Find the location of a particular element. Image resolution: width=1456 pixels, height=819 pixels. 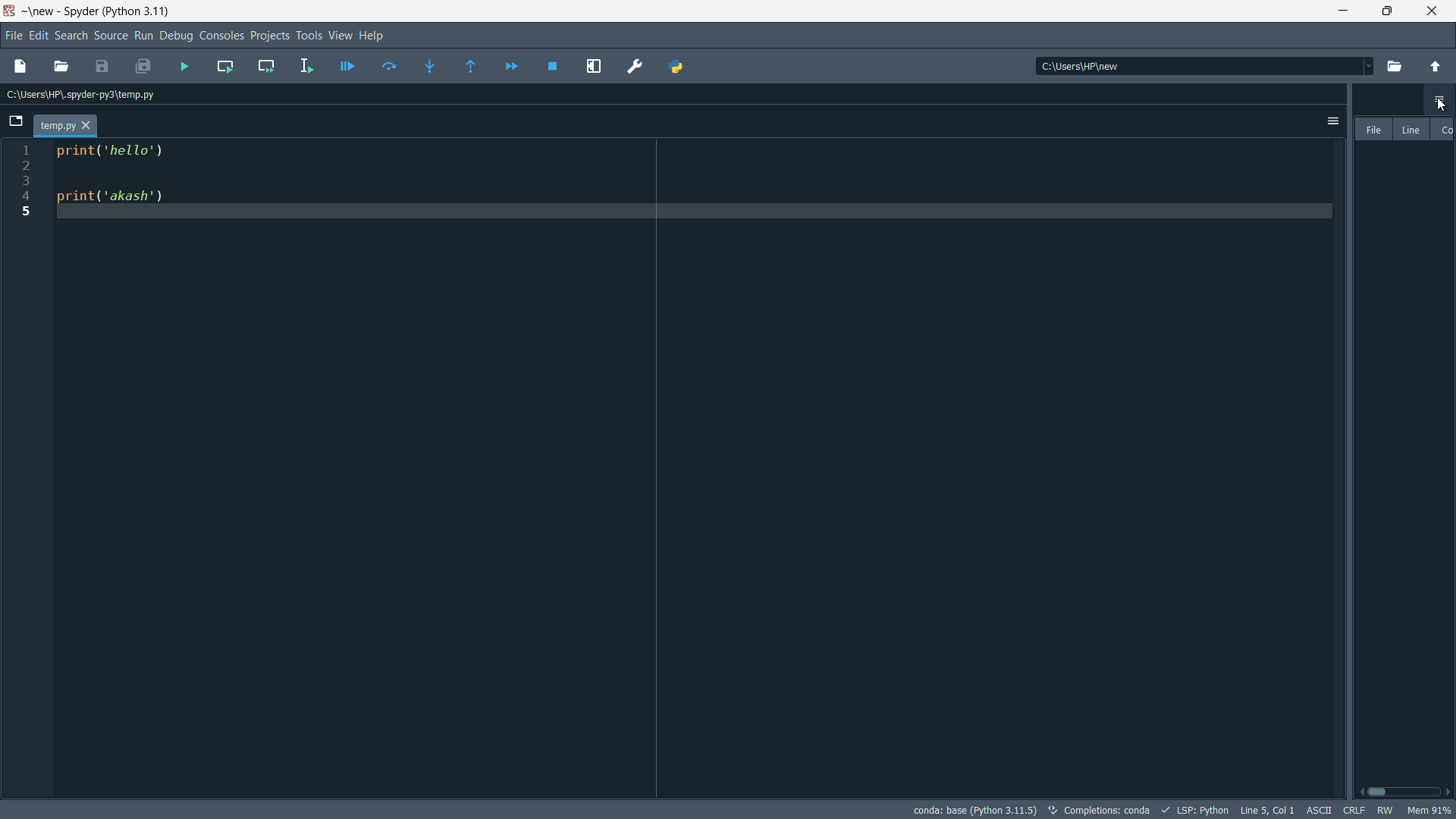

text is located at coordinates (1097, 810).